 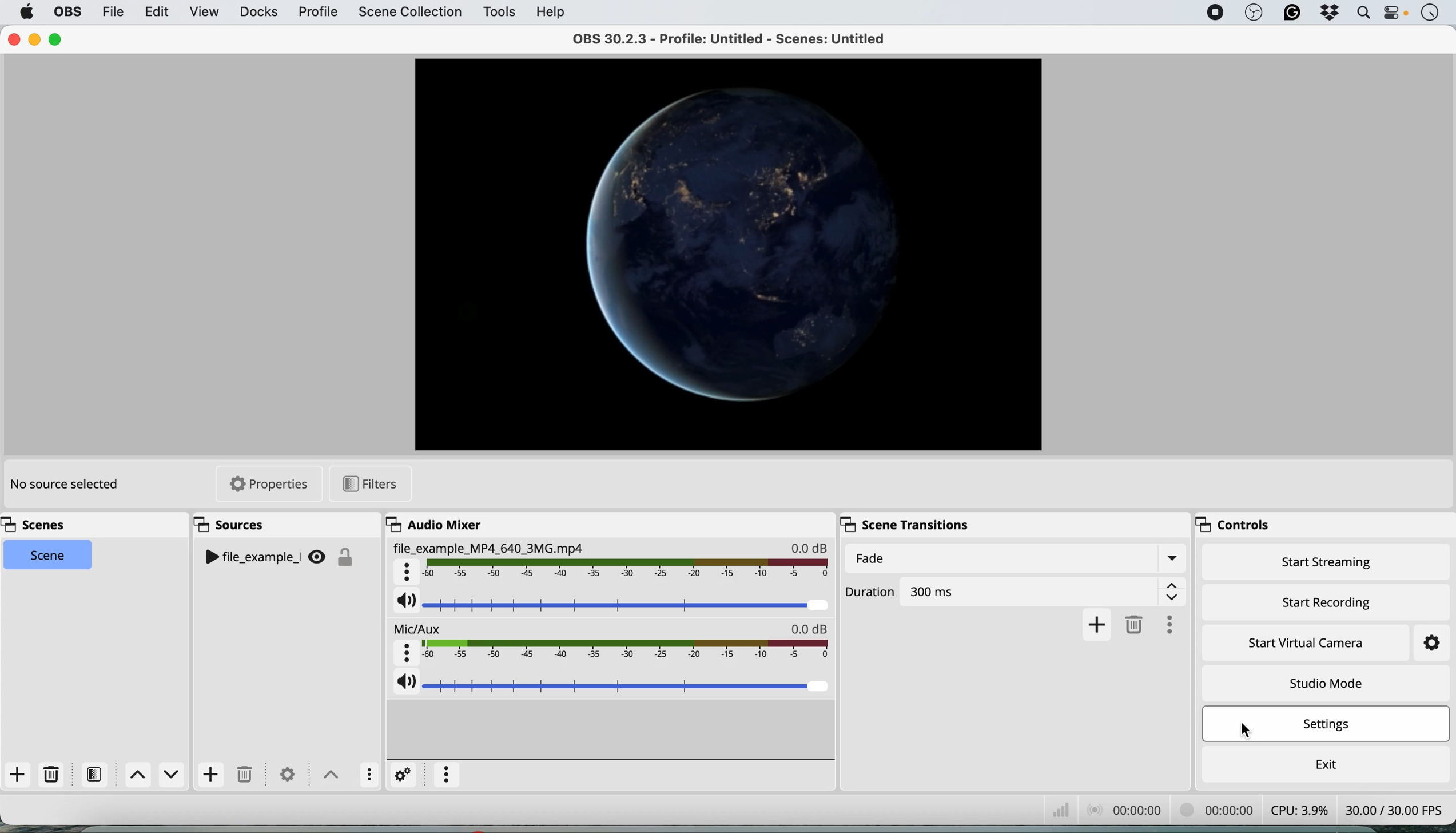 I want to click on settings, so click(x=1331, y=725).